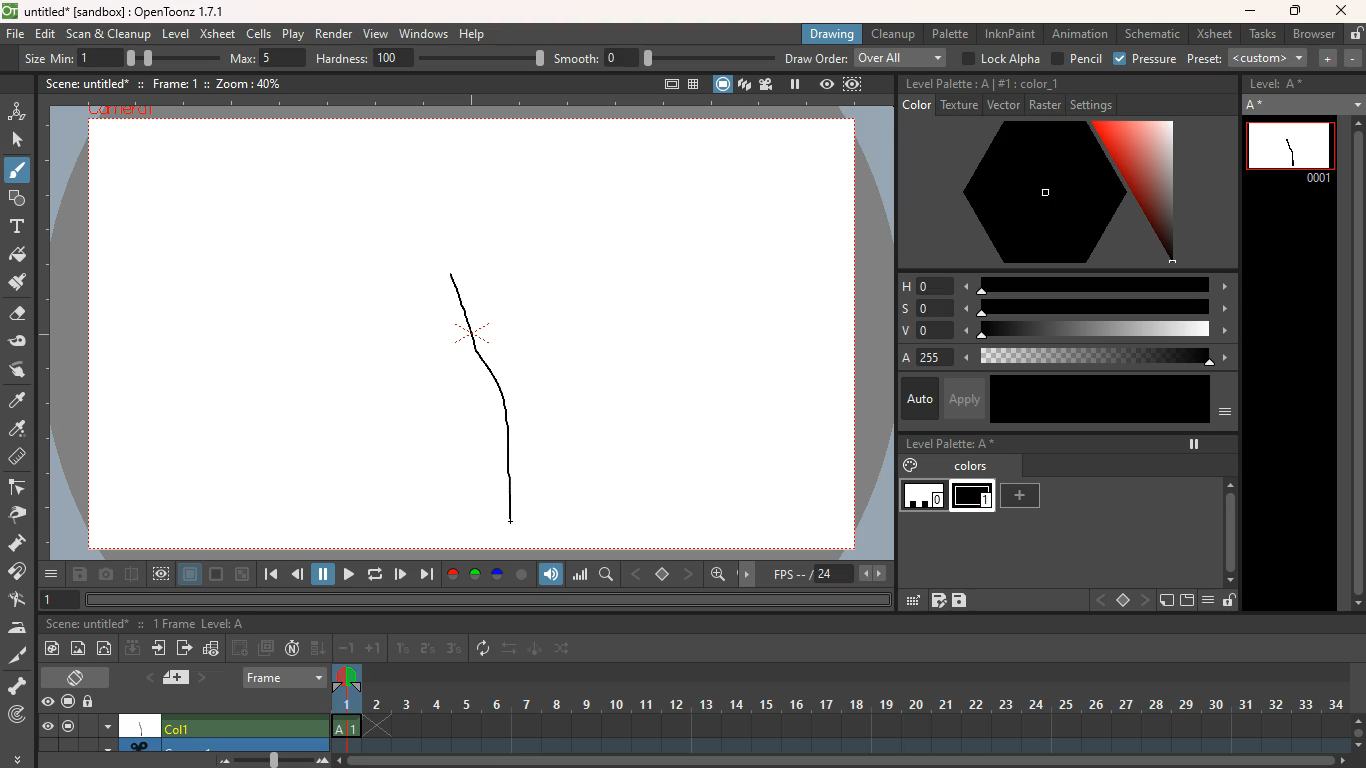  Describe the element at coordinates (46, 34) in the screenshot. I see `edit` at that location.